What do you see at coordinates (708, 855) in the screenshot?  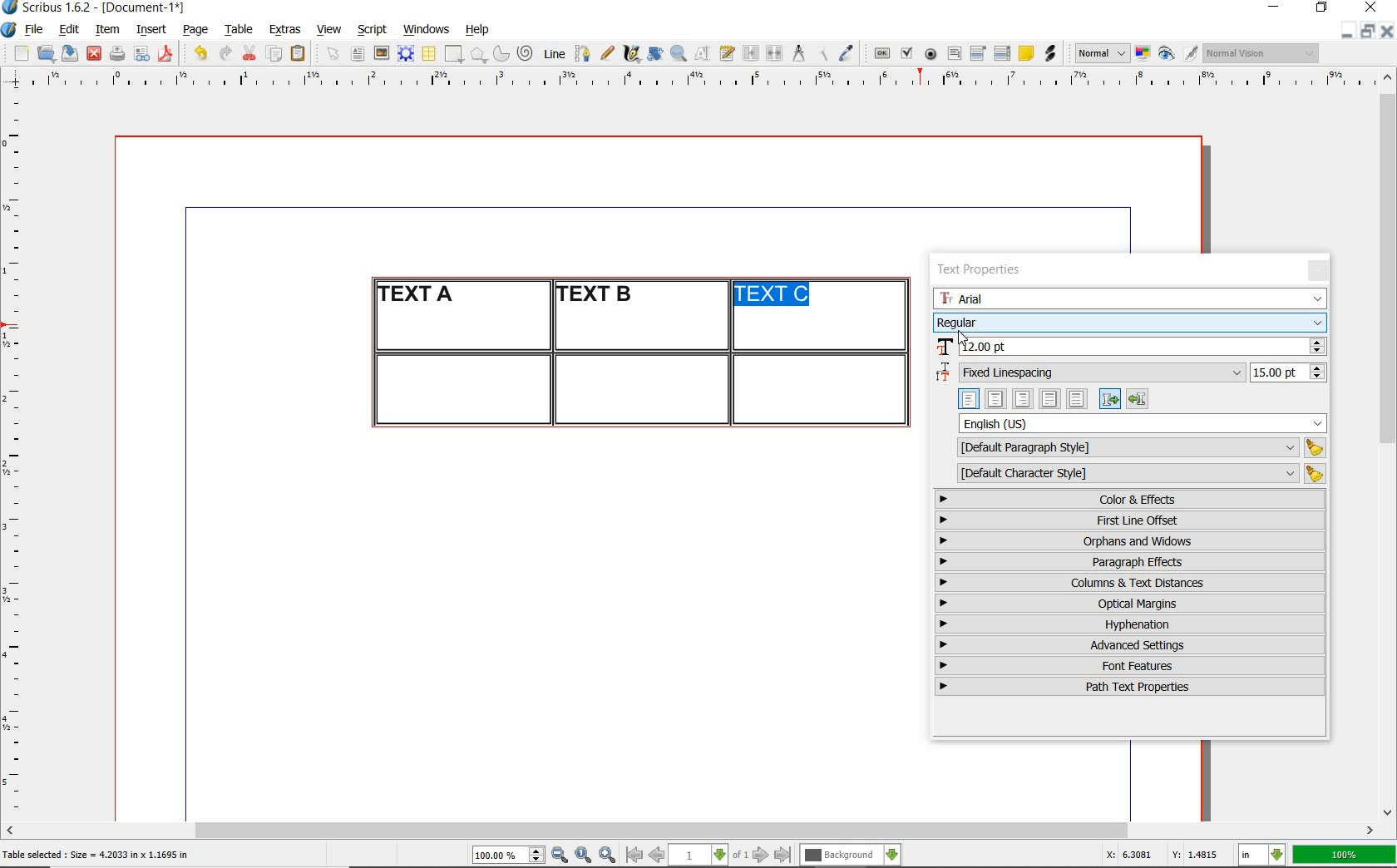 I see `select current page level` at bounding box center [708, 855].